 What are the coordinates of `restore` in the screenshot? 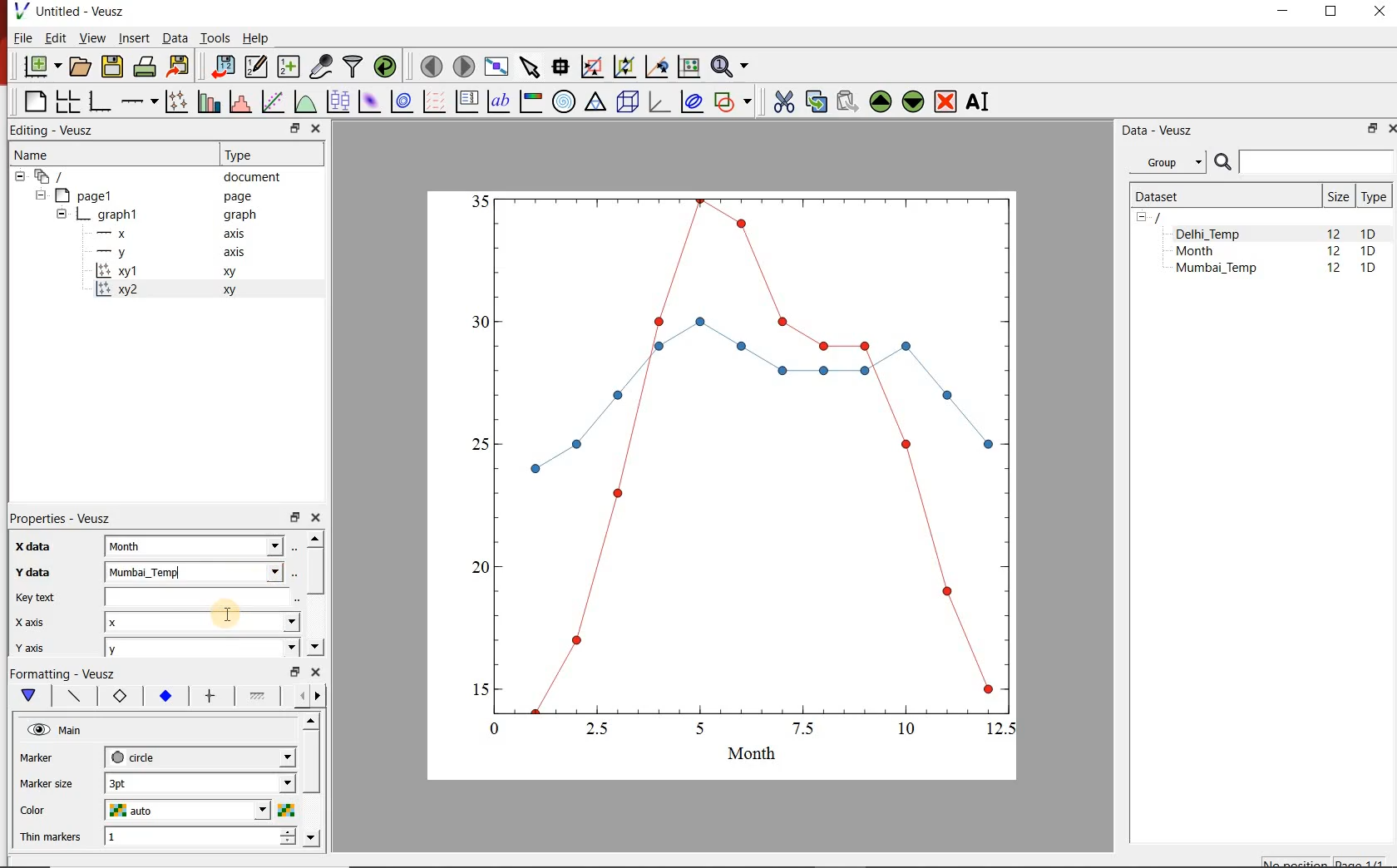 It's located at (297, 671).